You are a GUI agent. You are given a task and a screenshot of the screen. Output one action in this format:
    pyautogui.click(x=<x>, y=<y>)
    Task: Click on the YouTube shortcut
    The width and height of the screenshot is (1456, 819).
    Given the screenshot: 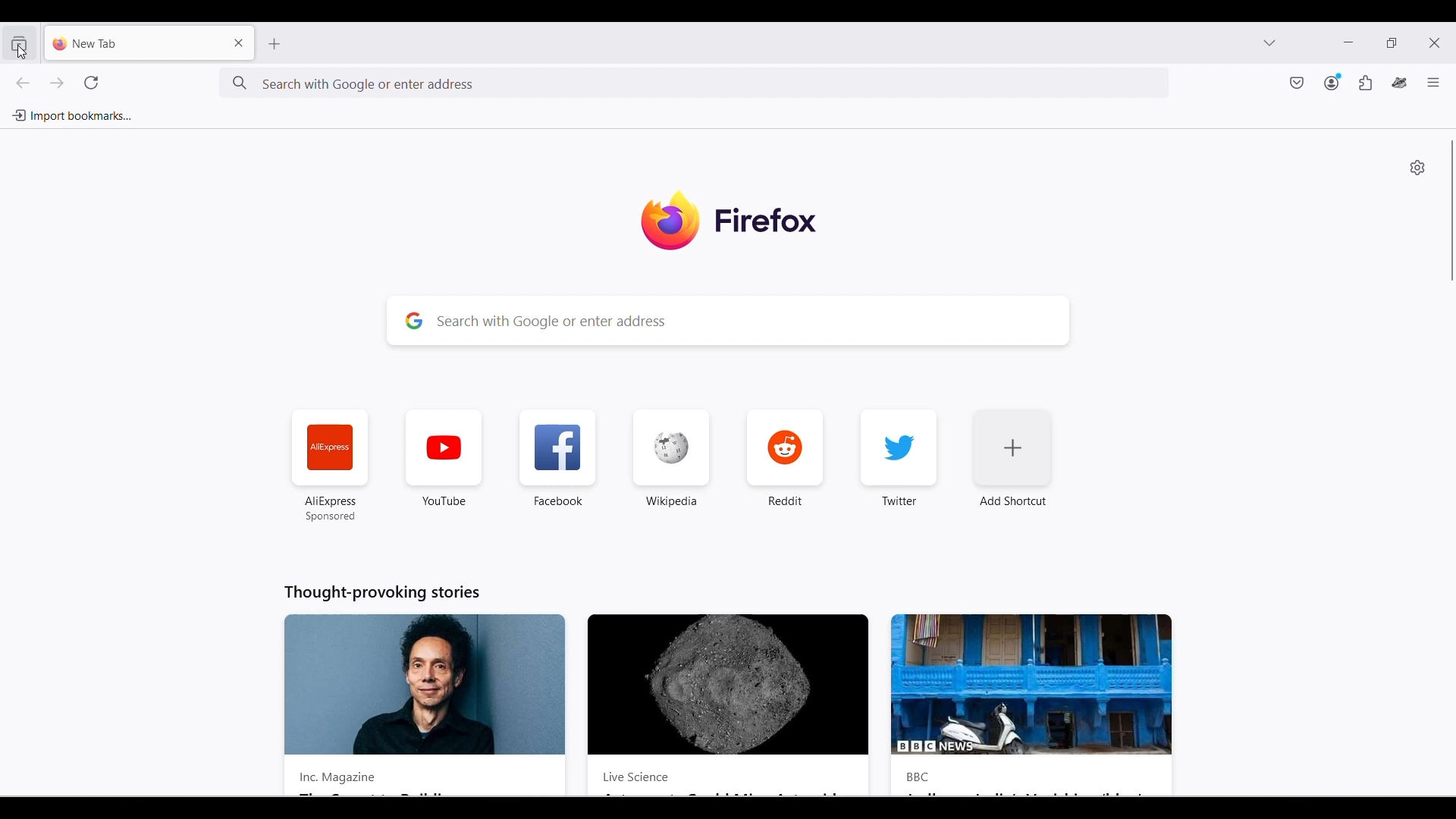 What is the action you would take?
    pyautogui.click(x=444, y=457)
    